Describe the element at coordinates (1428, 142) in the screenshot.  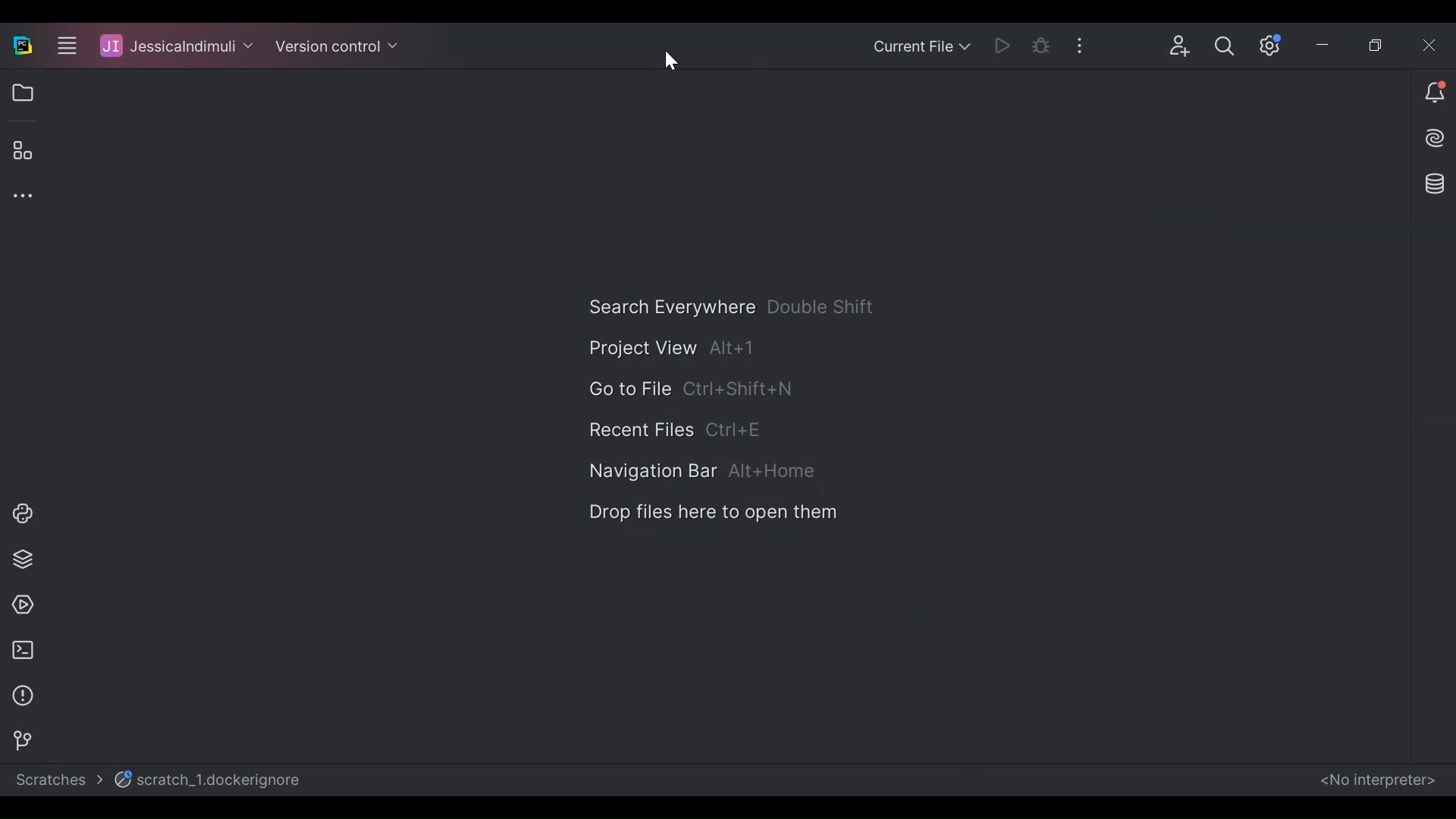
I see `AI Assistant` at that location.